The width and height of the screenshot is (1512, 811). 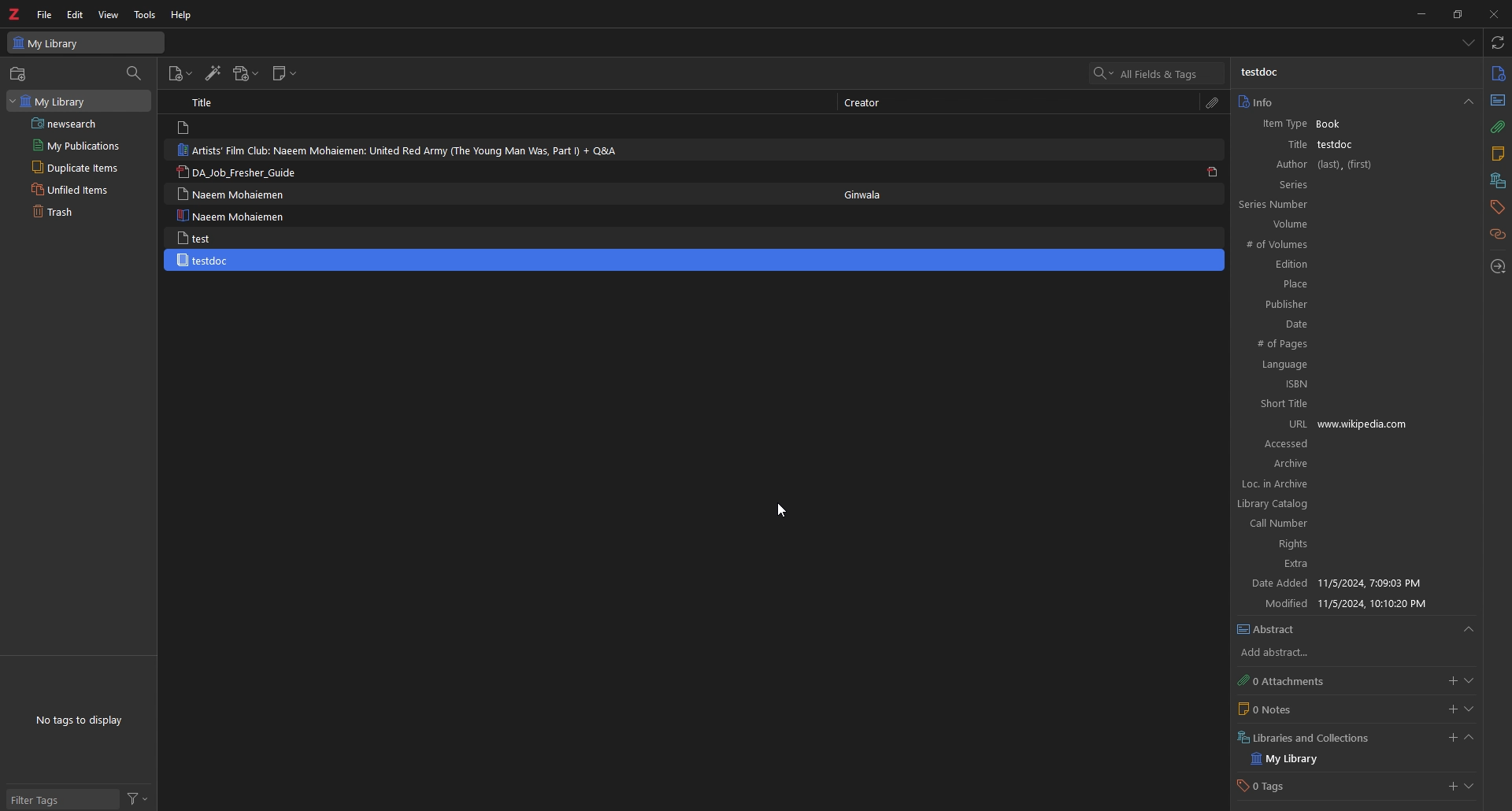 What do you see at coordinates (1345, 505) in the screenshot?
I see `Library catalog` at bounding box center [1345, 505].